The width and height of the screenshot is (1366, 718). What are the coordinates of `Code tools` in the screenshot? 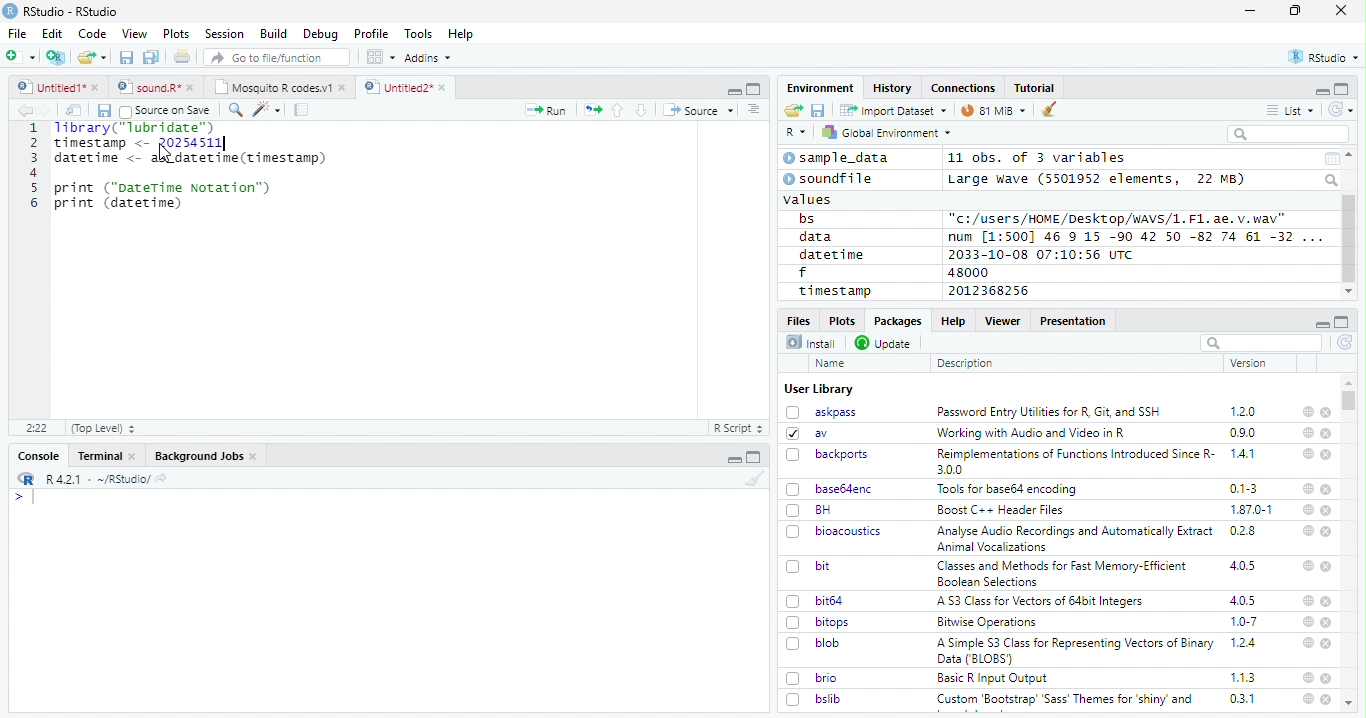 It's located at (265, 109).